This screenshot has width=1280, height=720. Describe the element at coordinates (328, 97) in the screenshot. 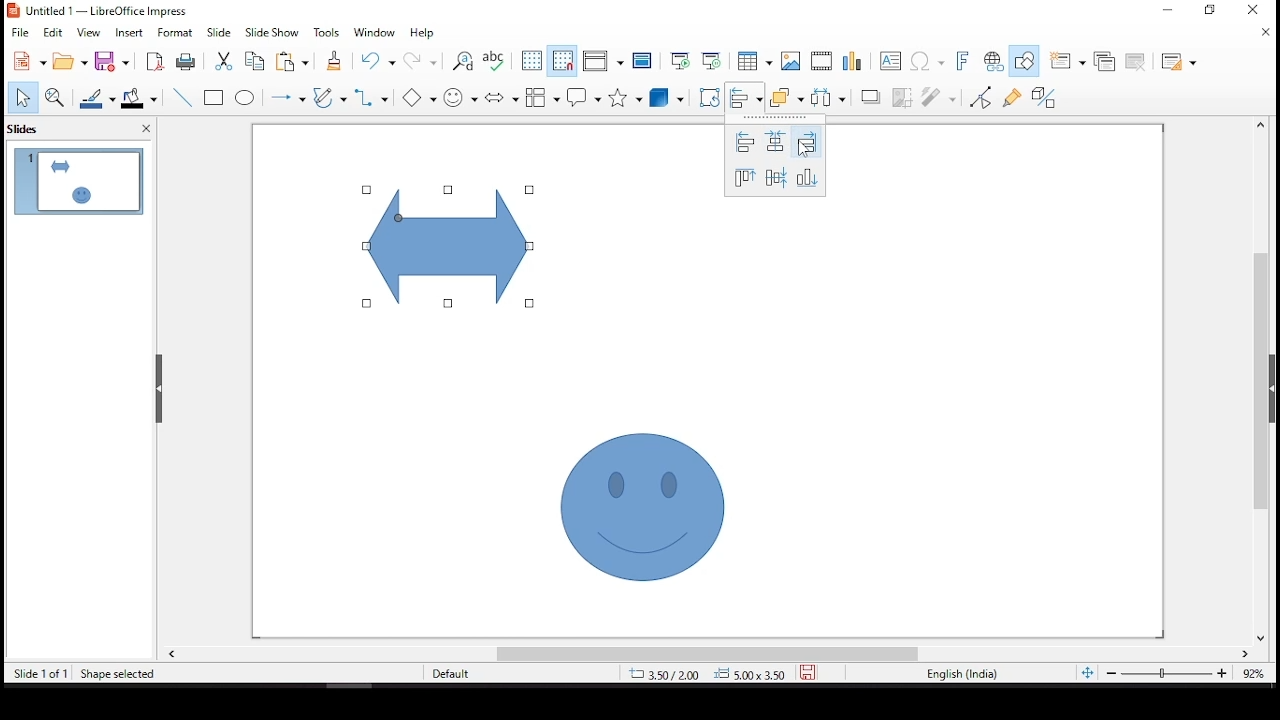

I see `curves and polygons` at that location.